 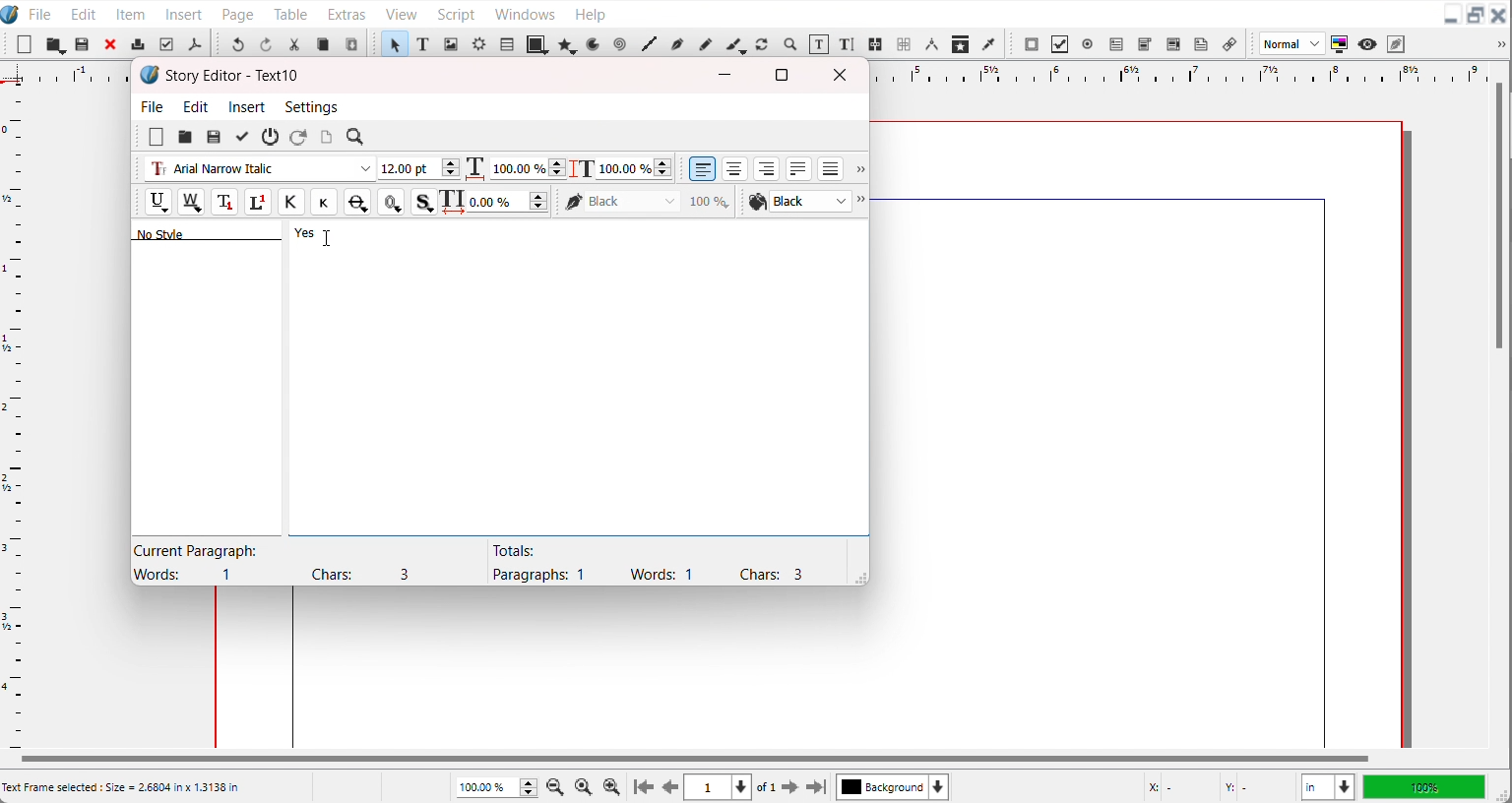 What do you see at coordinates (478, 43) in the screenshot?
I see `Render Frame` at bounding box center [478, 43].